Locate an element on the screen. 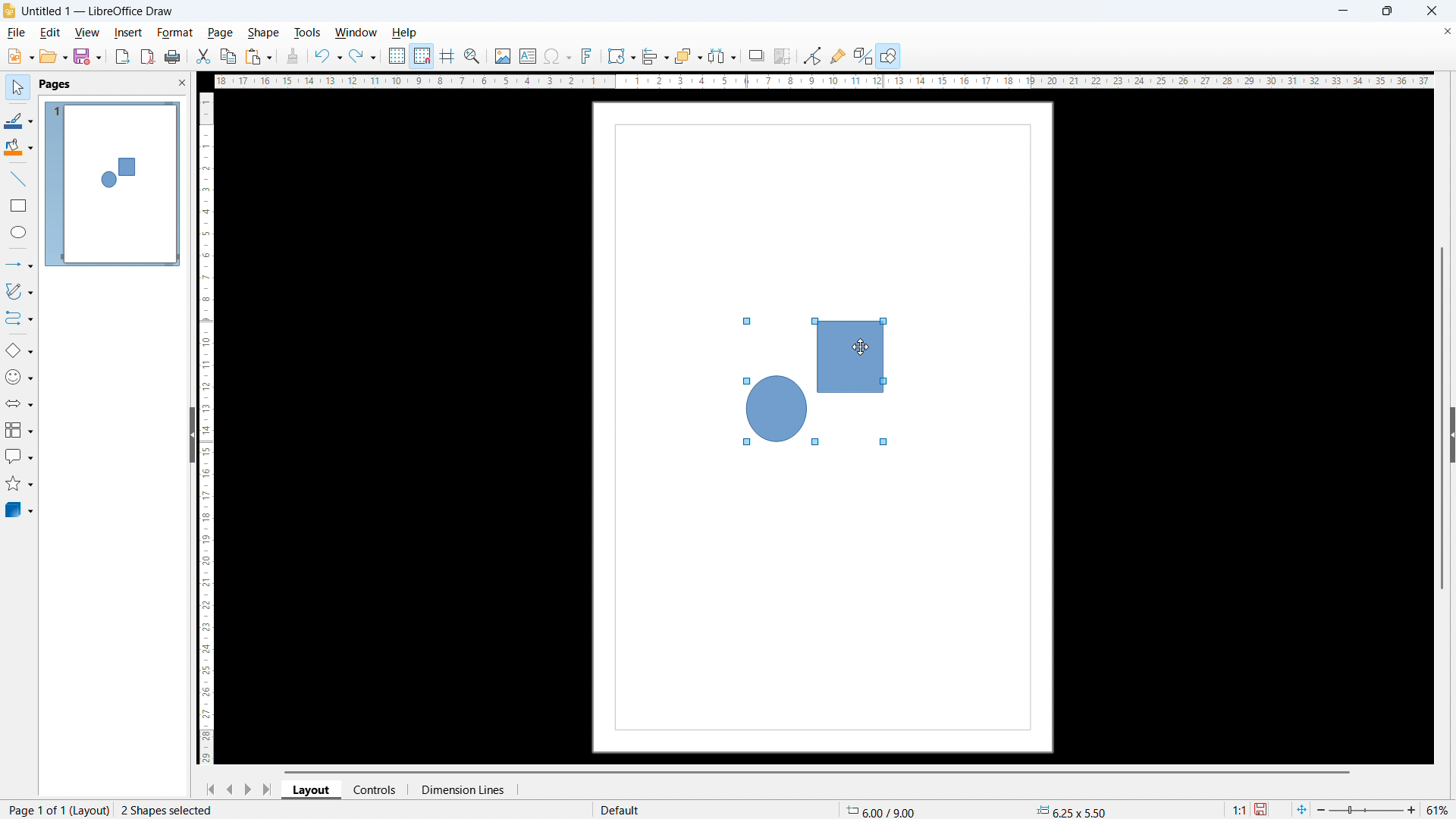 The width and height of the screenshot is (1456, 819). help is located at coordinates (405, 33).